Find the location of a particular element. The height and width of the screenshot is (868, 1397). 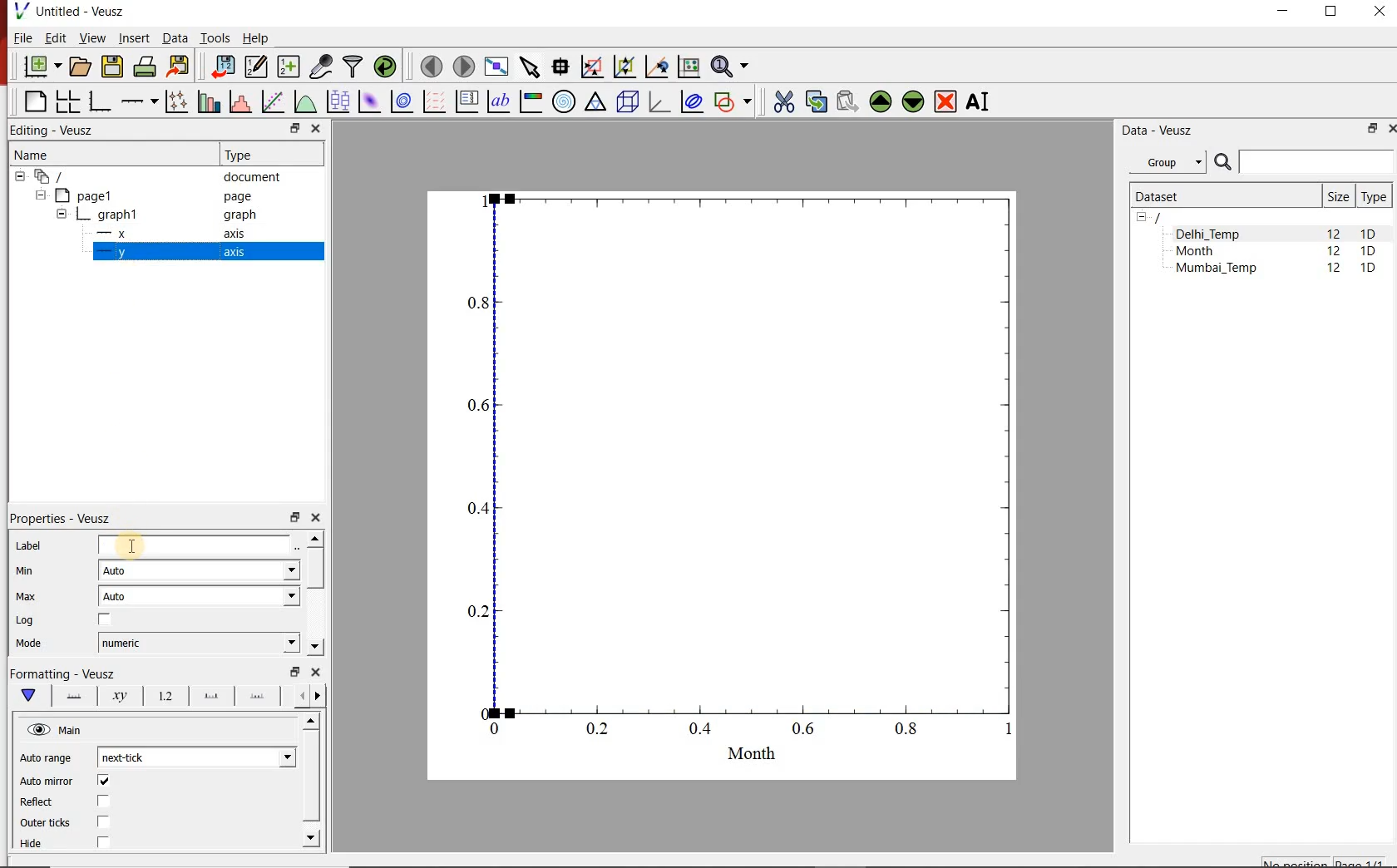

fit a function to data is located at coordinates (272, 101).